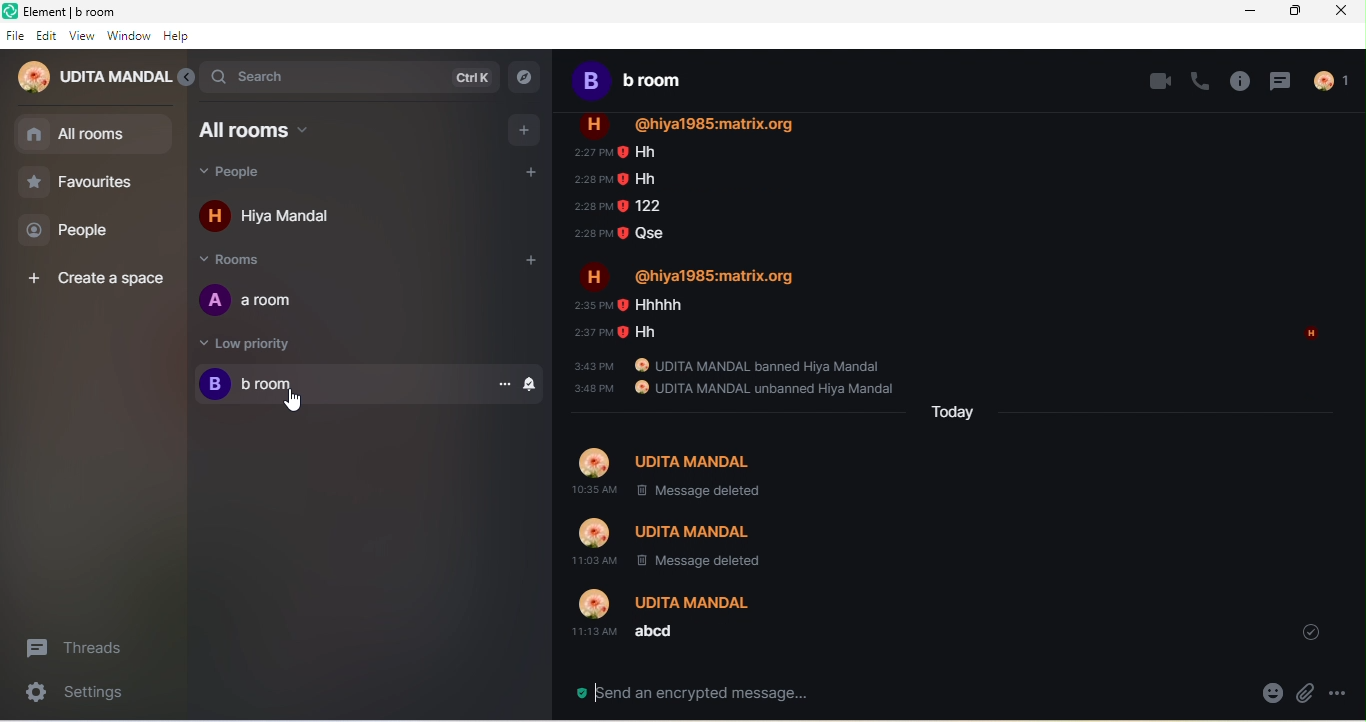 Image resolution: width=1366 pixels, height=722 pixels. I want to click on voice call, so click(1201, 80).